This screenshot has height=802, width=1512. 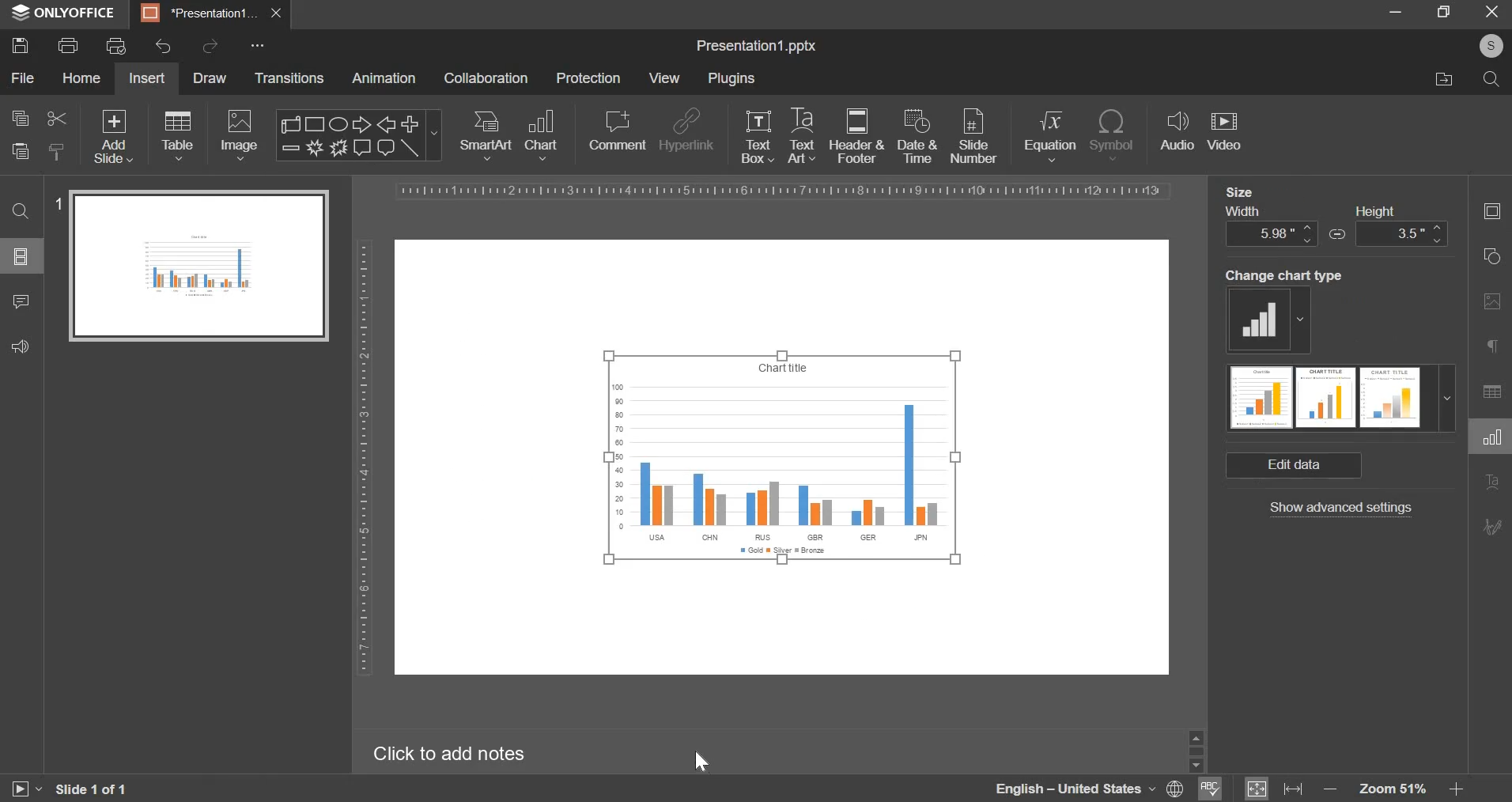 What do you see at coordinates (20, 46) in the screenshot?
I see `save` at bounding box center [20, 46].